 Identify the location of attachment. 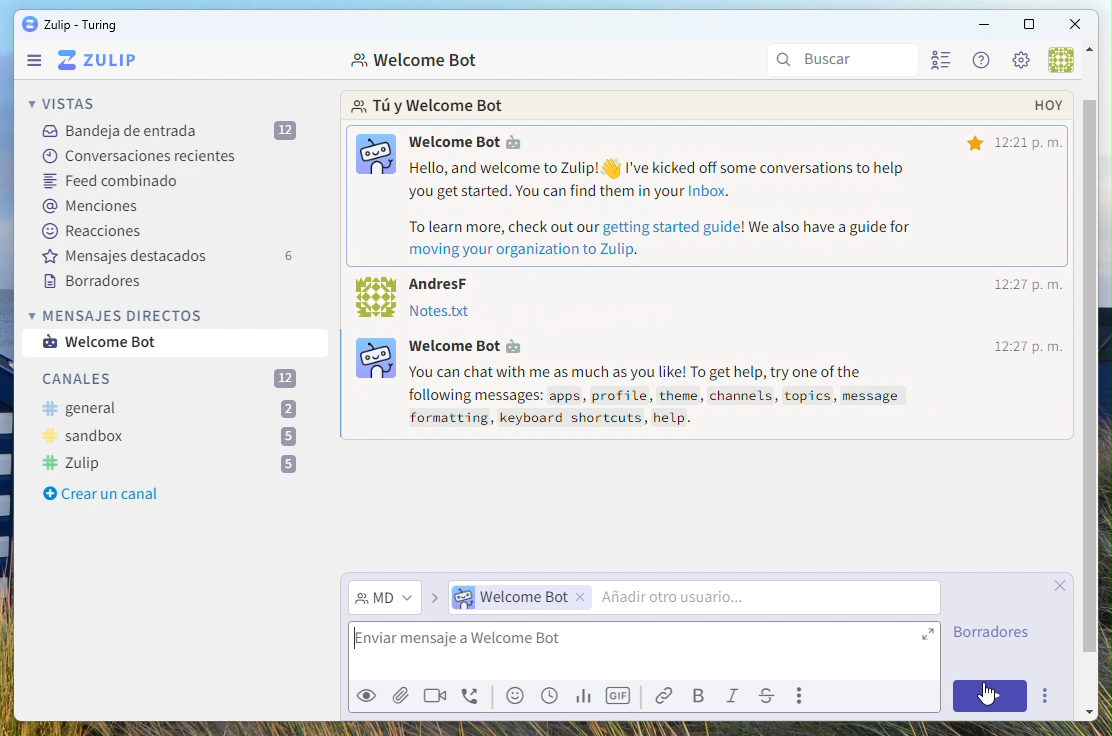
(399, 694).